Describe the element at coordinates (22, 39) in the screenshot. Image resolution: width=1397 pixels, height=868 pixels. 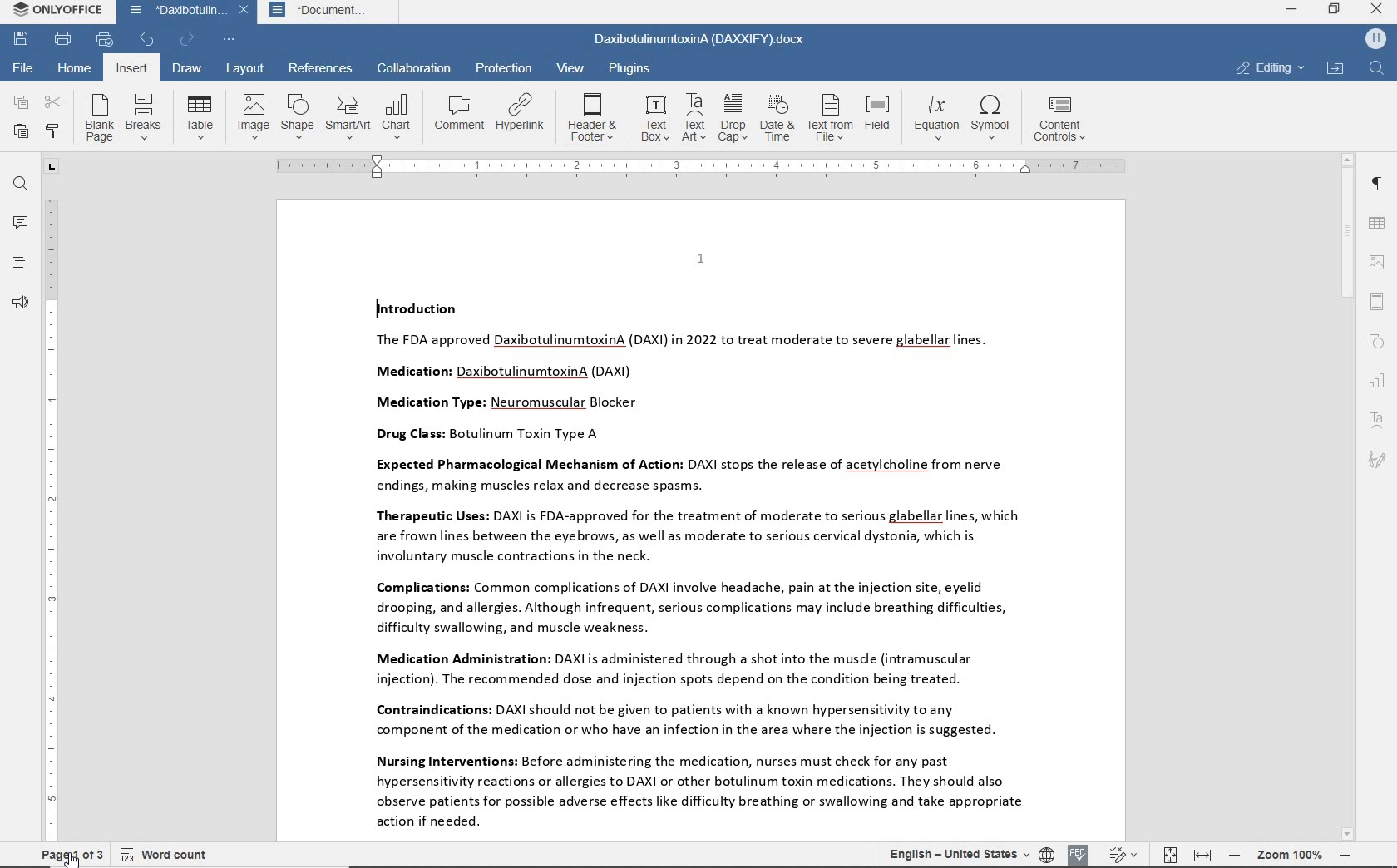
I see `save` at that location.